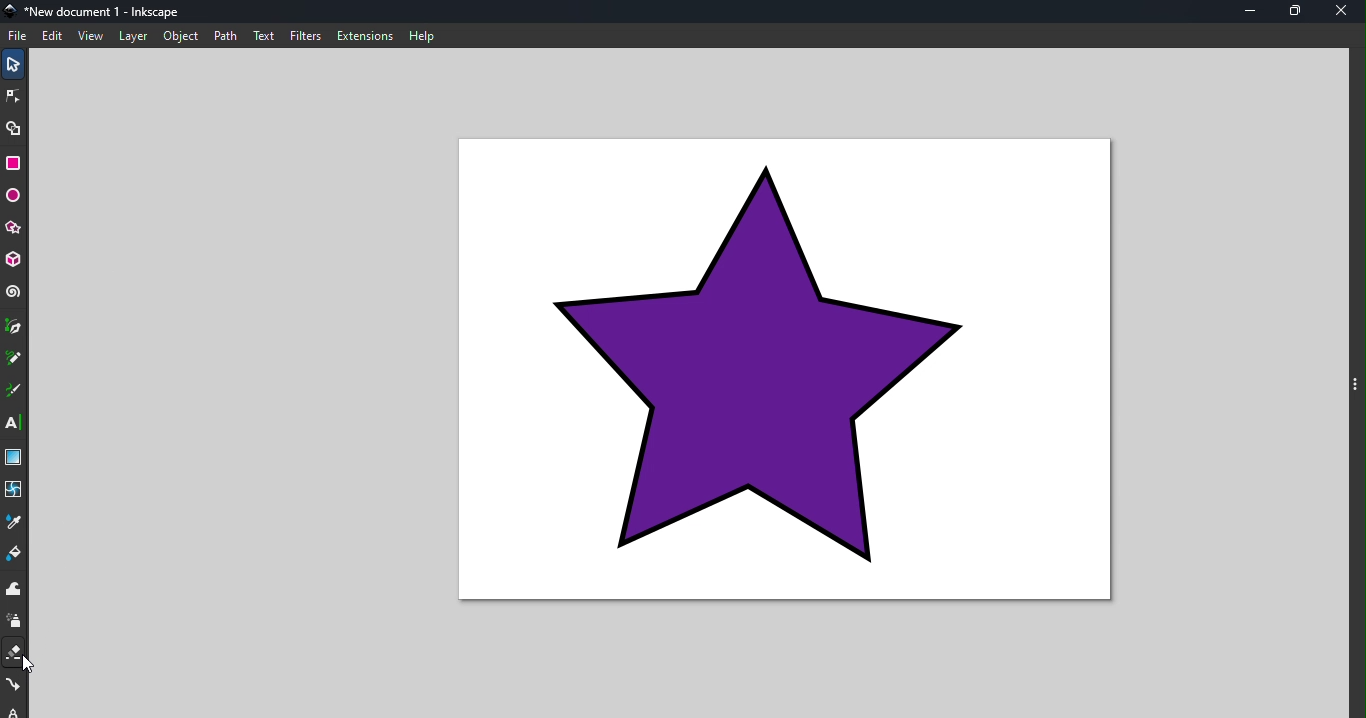  I want to click on connector tool, so click(15, 686).